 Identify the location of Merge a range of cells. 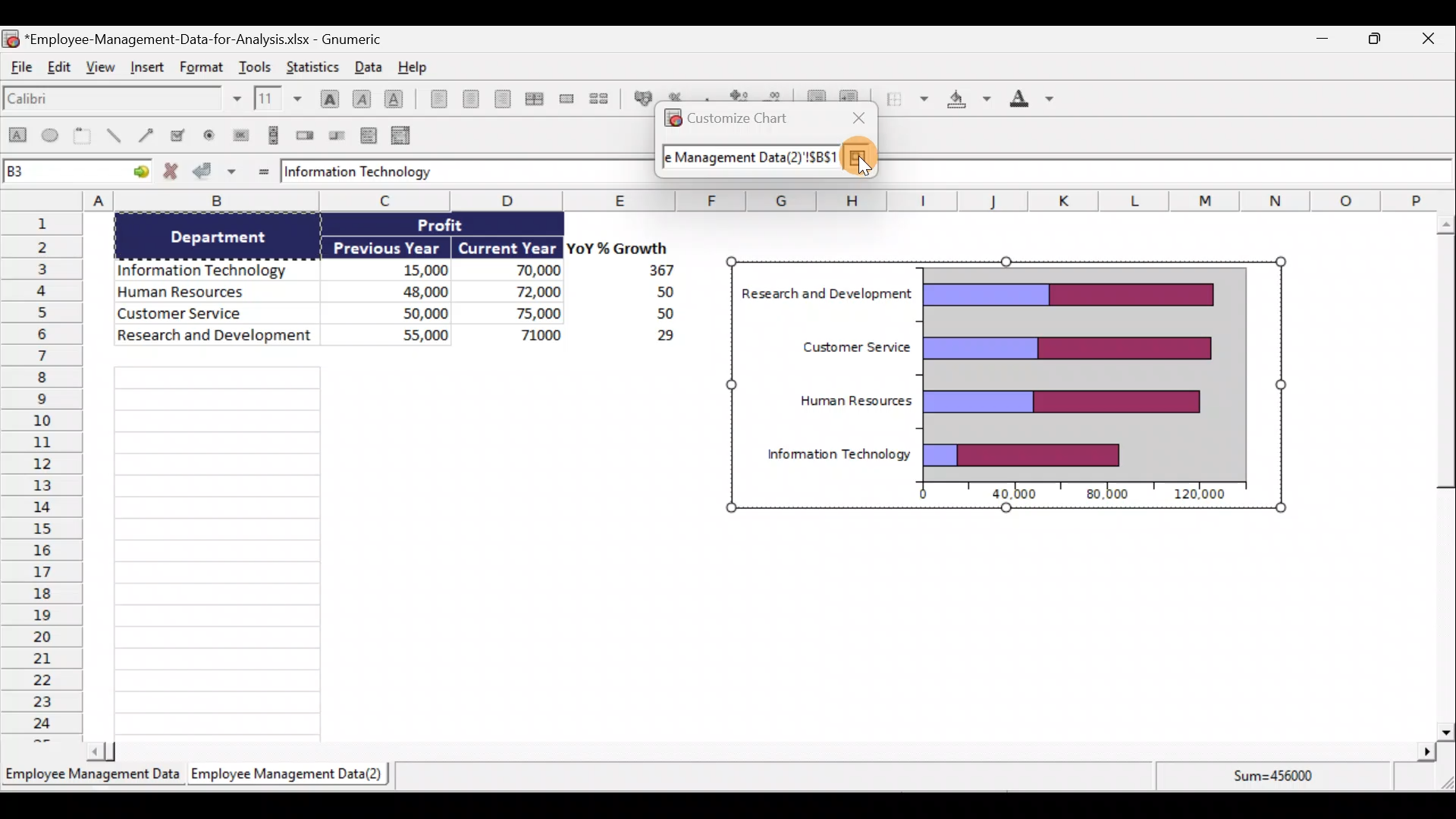
(570, 99).